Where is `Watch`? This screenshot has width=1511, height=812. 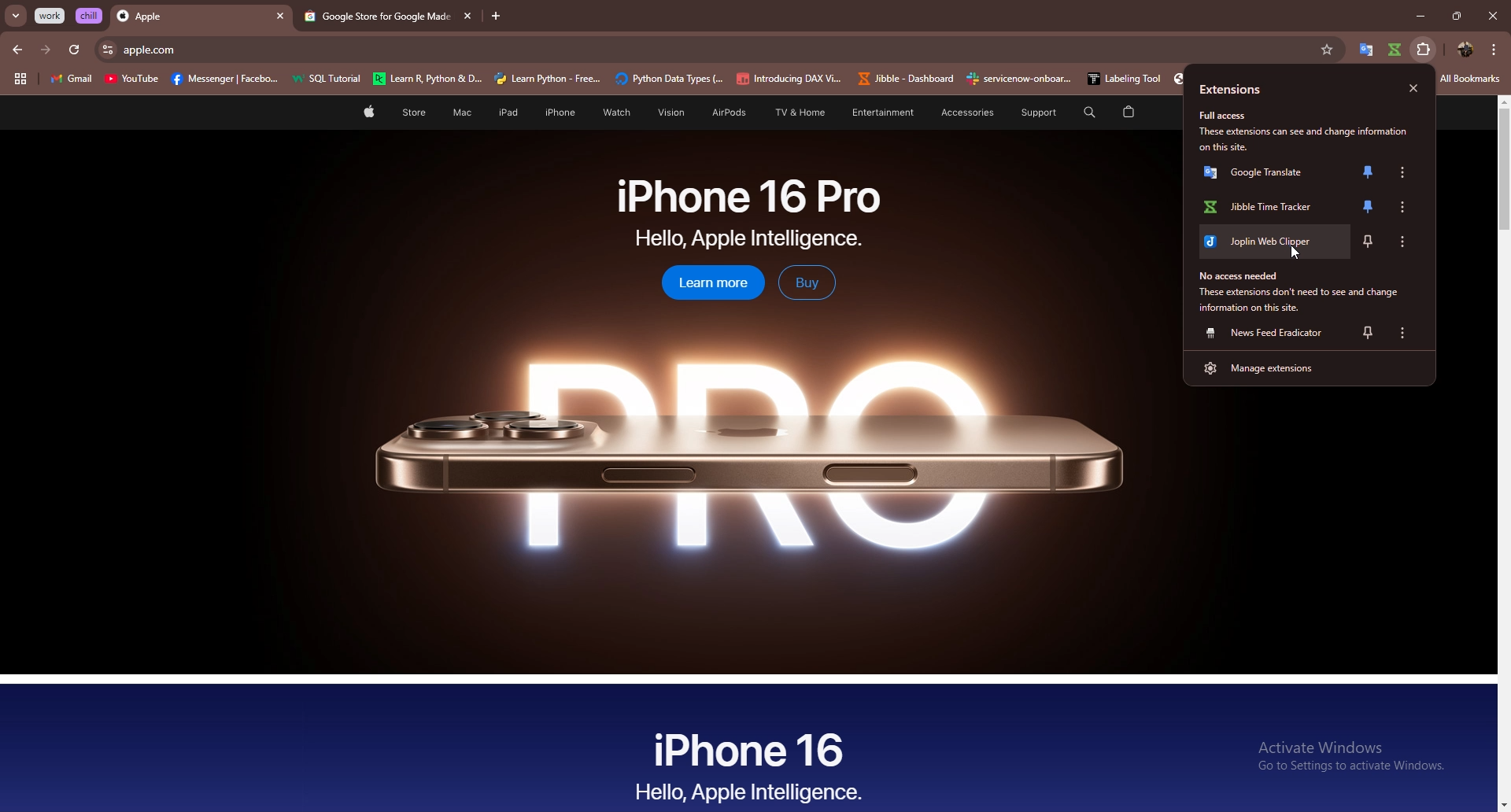
Watch is located at coordinates (614, 113).